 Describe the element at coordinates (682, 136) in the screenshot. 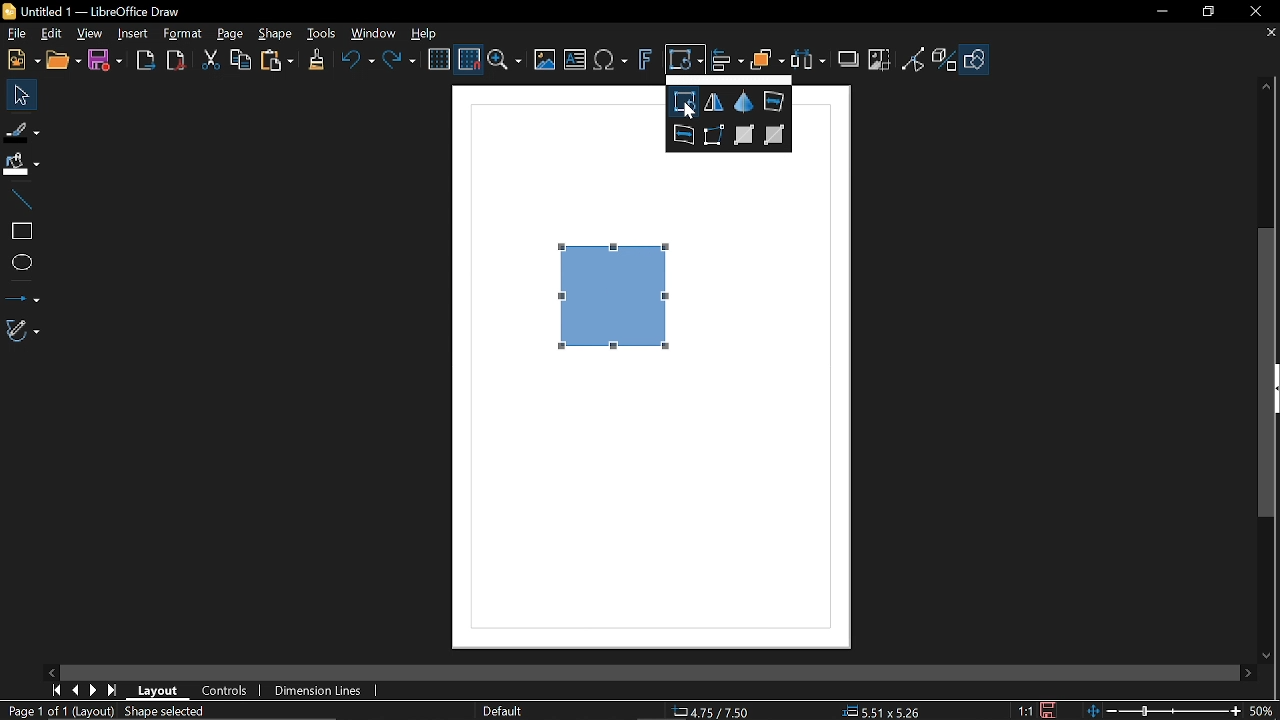

I see `Set to circle` at that location.